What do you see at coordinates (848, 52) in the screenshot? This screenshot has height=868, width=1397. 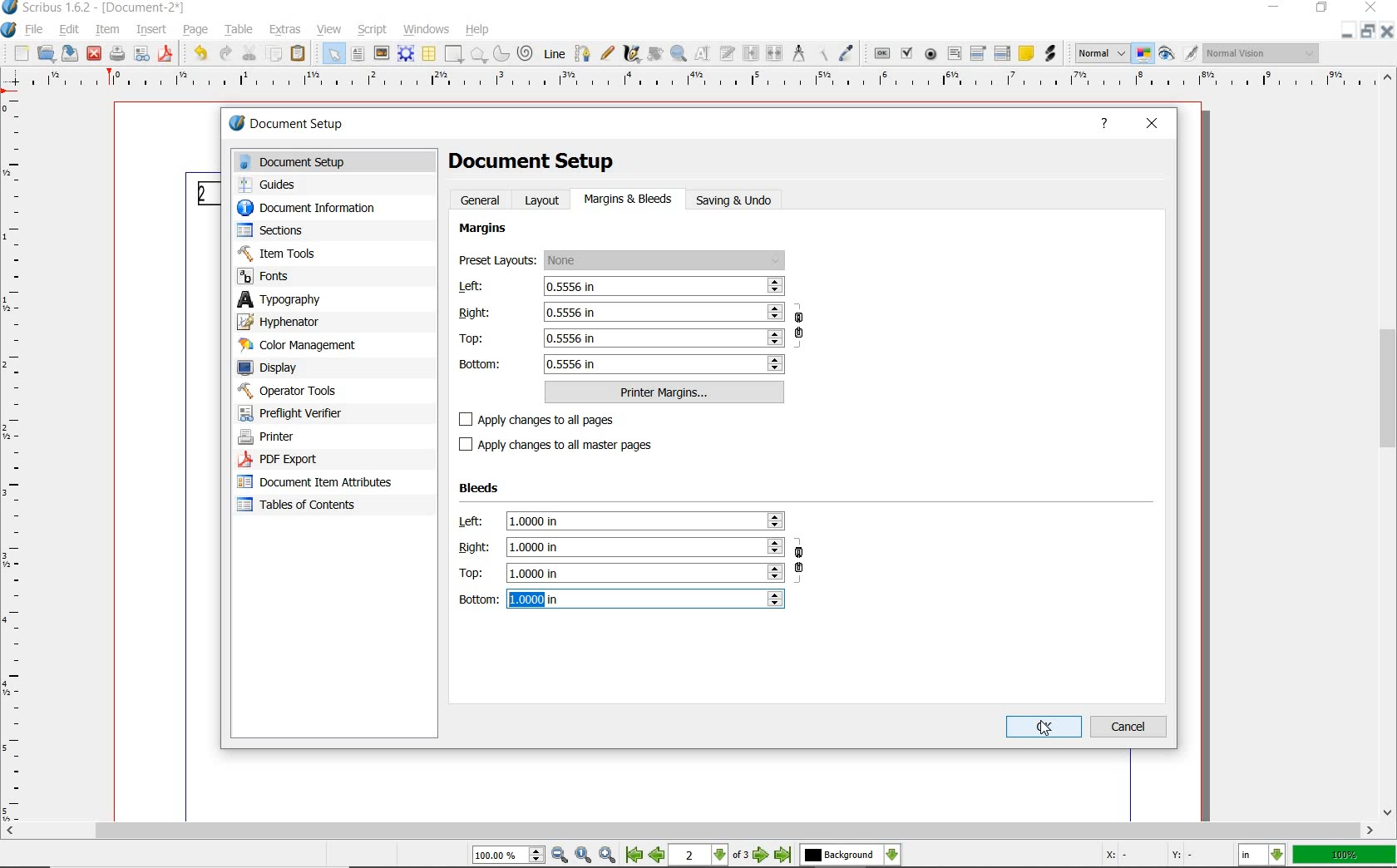 I see `eye dropper` at bounding box center [848, 52].